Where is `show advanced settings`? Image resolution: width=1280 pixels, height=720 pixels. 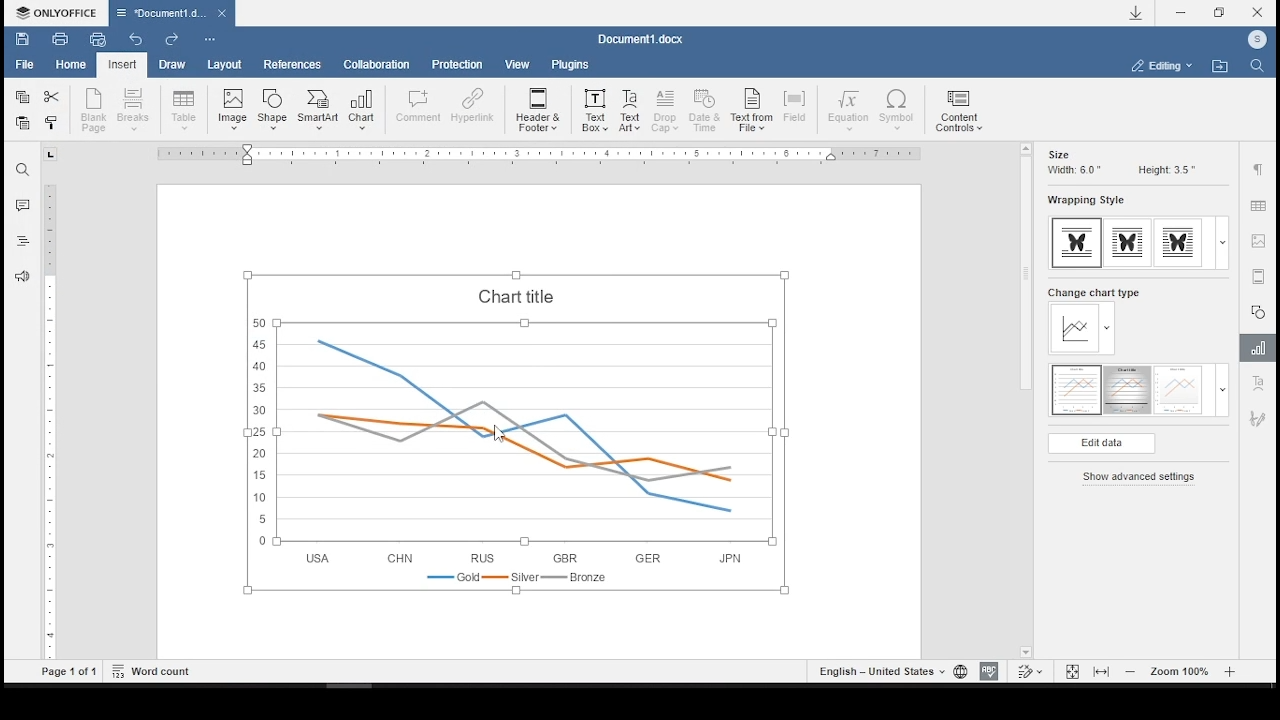 show advanced settings is located at coordinates (1143, 478).